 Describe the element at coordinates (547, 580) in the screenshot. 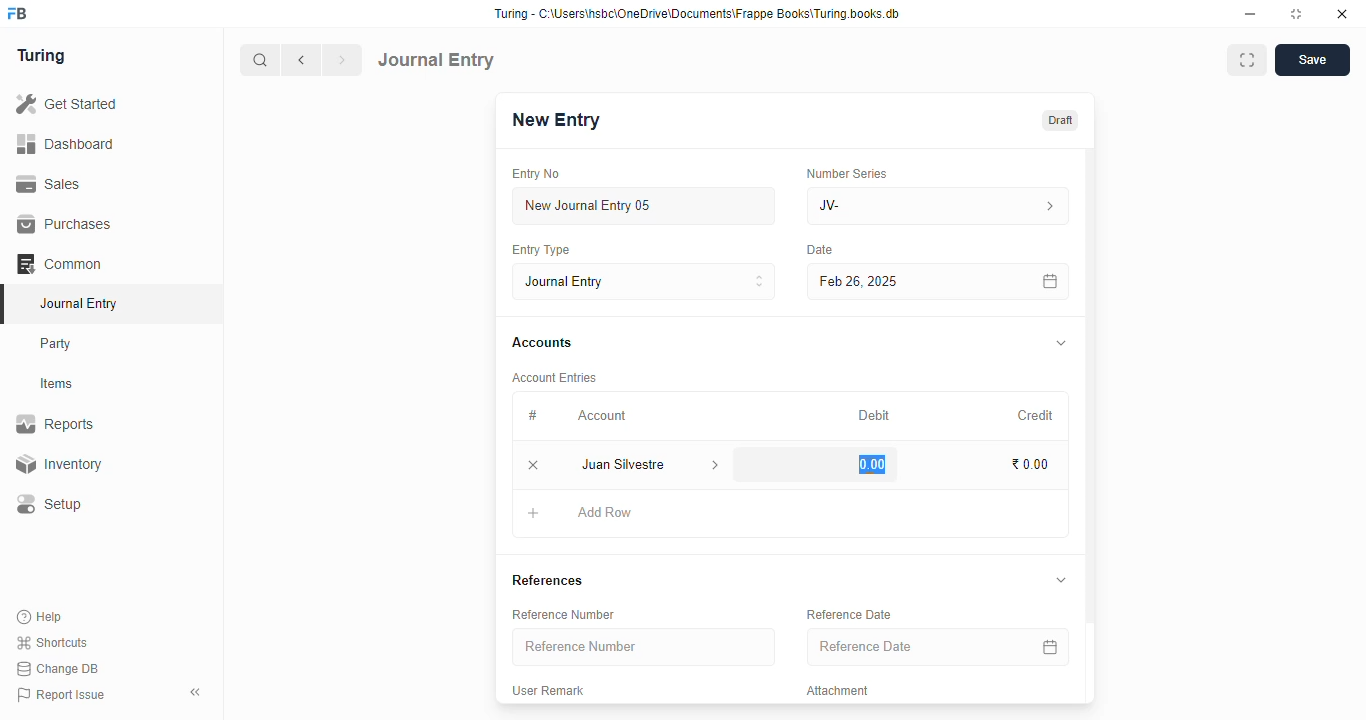

I see `references` at that location.